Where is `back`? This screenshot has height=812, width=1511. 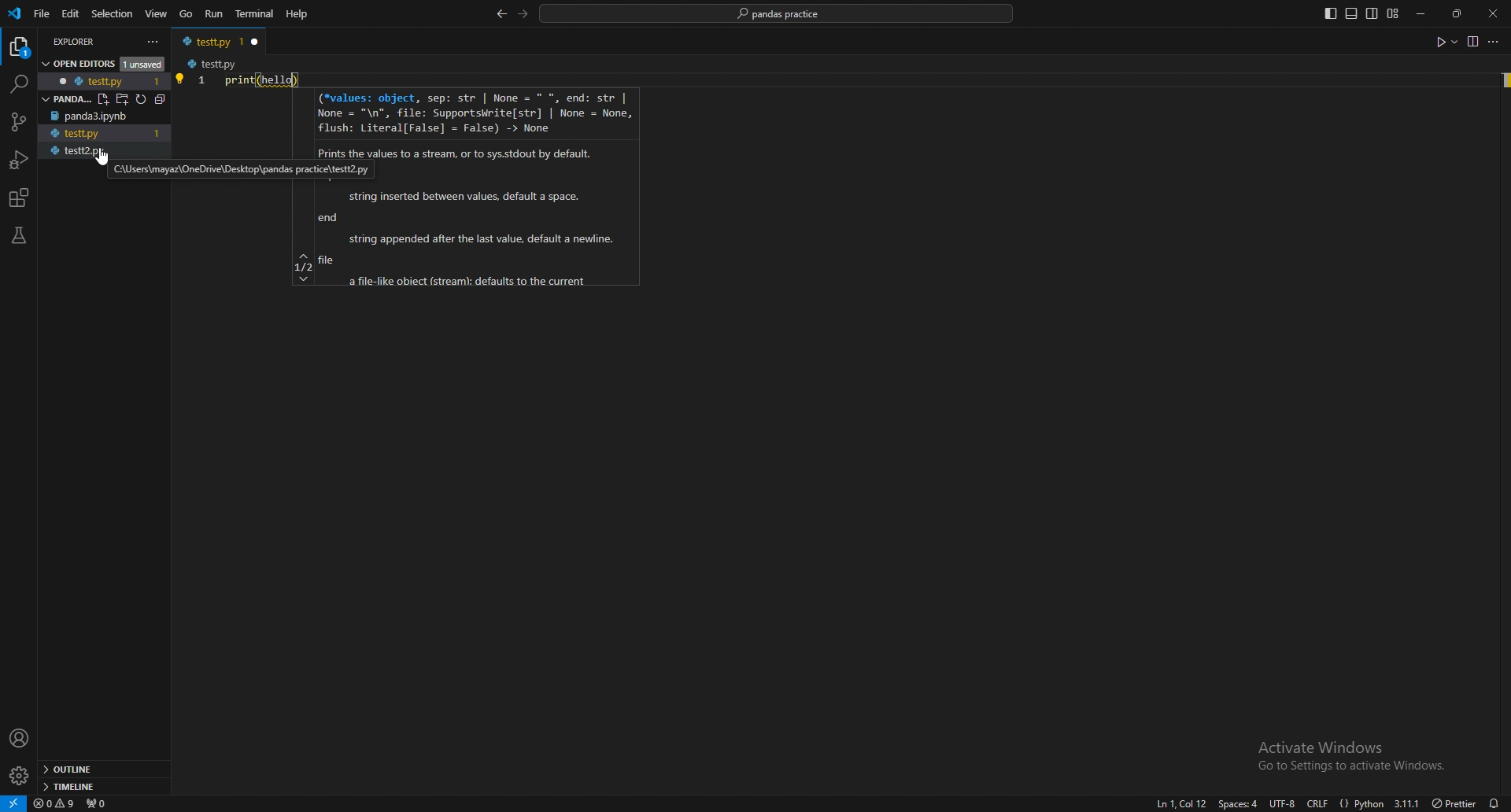 back is located at coordinates (501, 15).